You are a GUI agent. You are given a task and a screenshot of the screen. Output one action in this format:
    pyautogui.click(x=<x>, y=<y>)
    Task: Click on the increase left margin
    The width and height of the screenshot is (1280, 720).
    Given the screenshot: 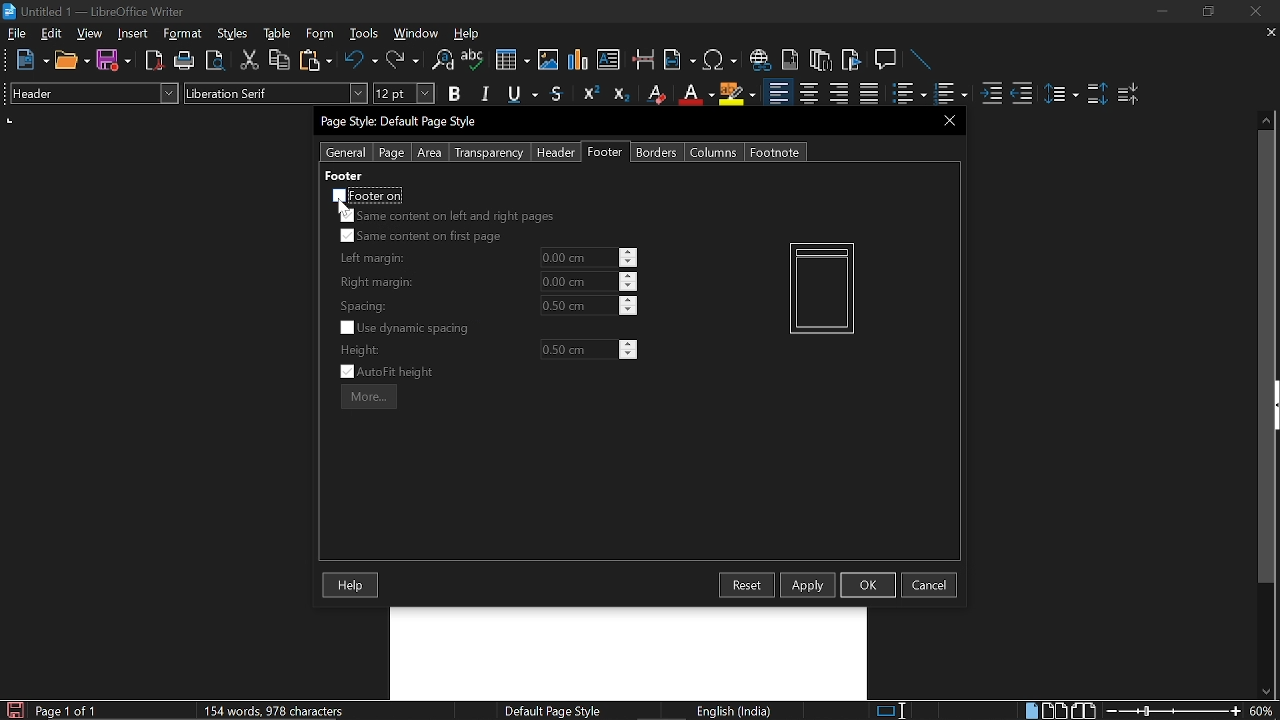 What is the action you would take?
    pyautogui.click(x=629, y=252)
    